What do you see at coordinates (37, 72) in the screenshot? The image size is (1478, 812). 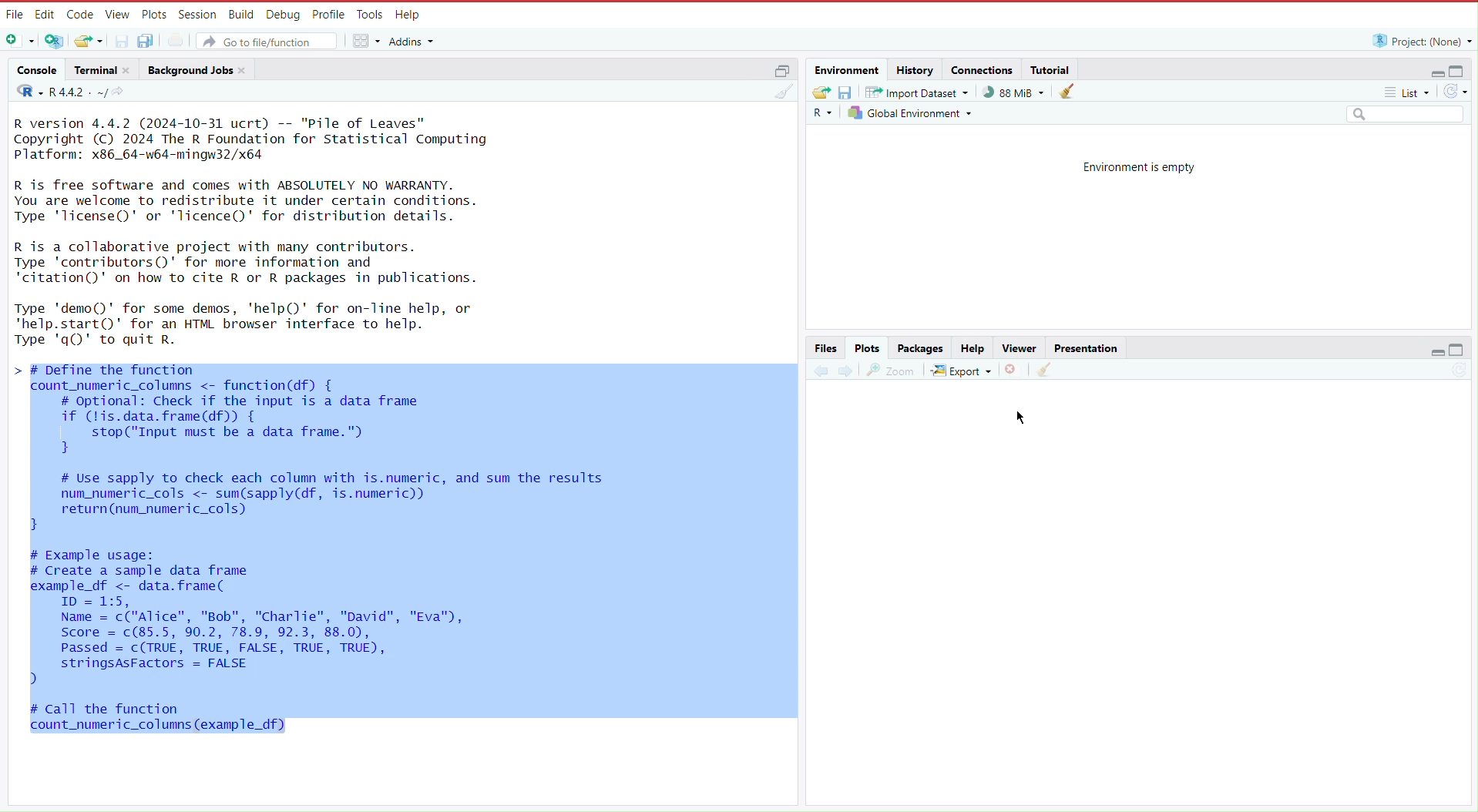 I see `Console` at bounding box center [37, 72].